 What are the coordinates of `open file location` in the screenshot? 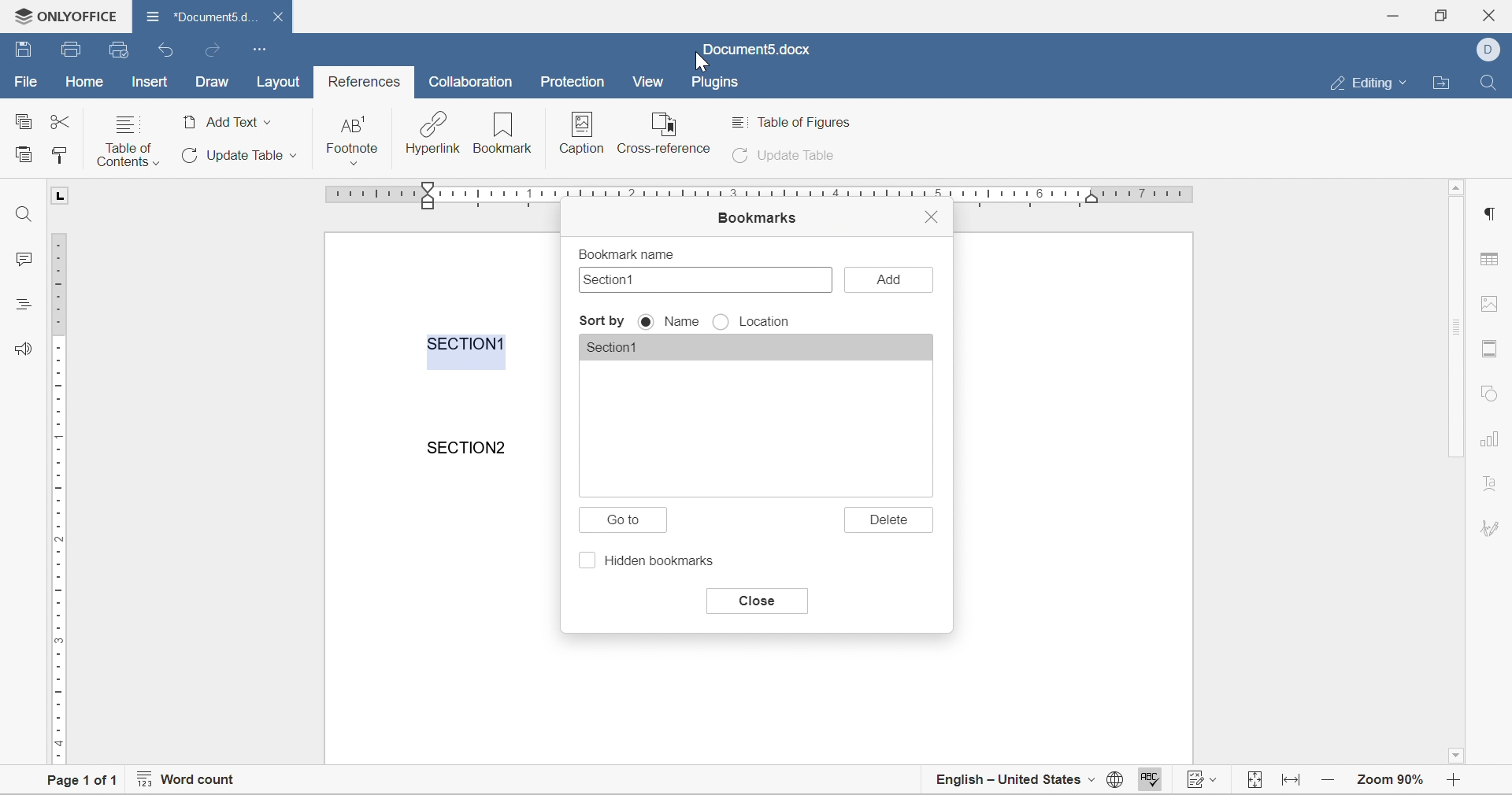 It's located at (1444, 83).